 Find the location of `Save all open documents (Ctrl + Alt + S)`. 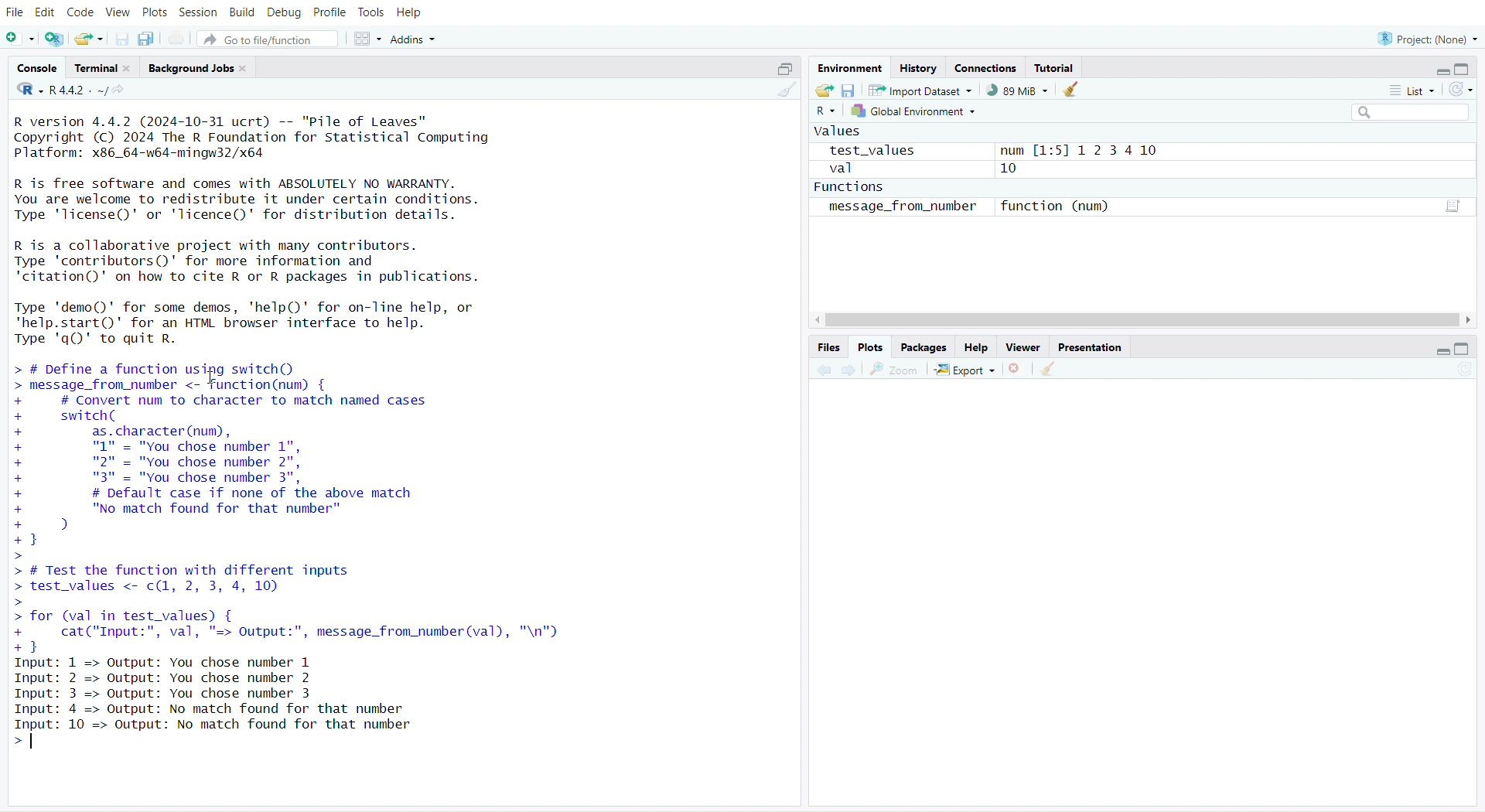

Save all open documents (Ctrl + Alt + S) is located at coordinates (151, 38).